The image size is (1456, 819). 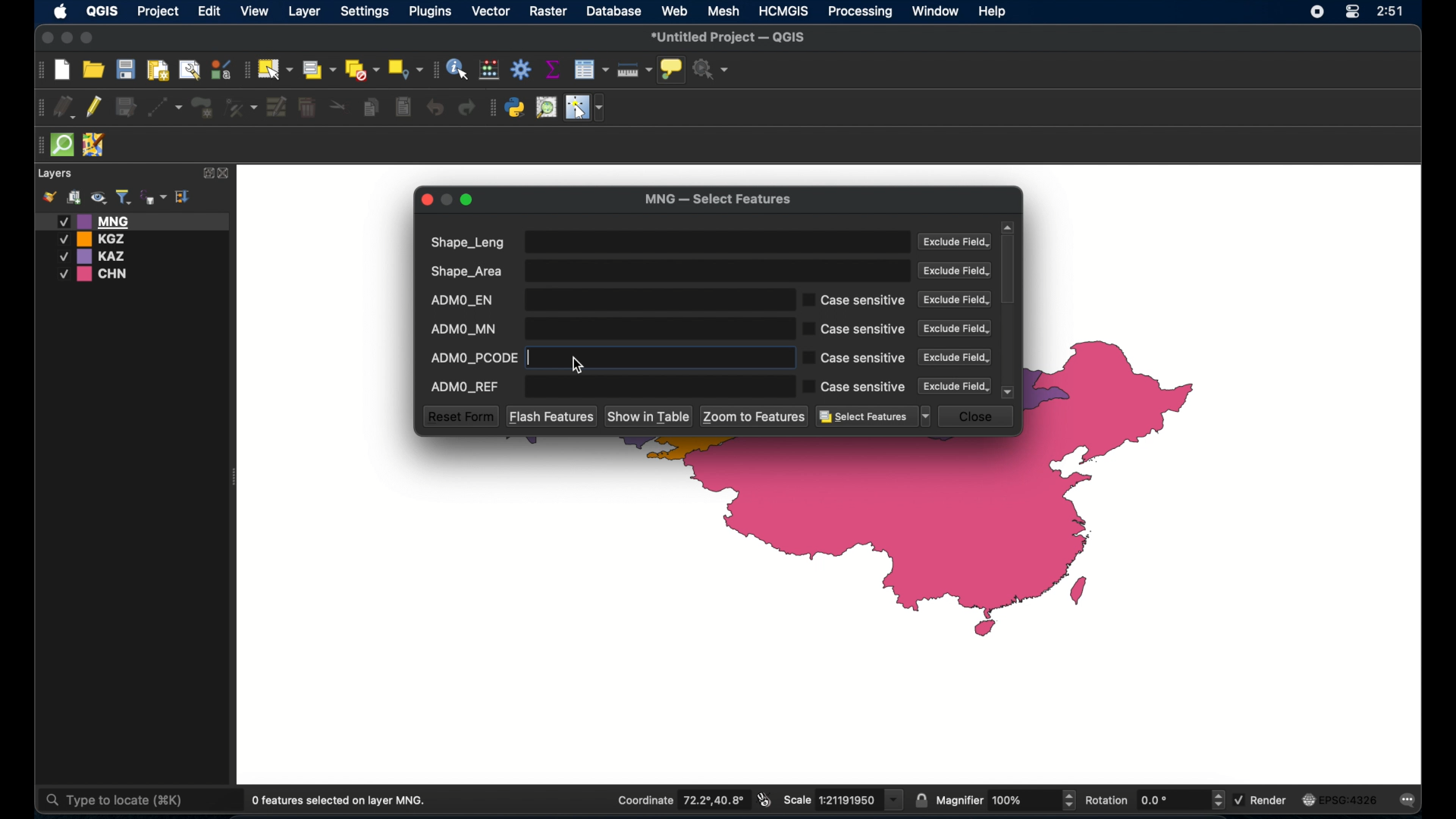 What do you see at coordinates (844, 800) in the screenshot?
I see `scale 1:21191950` at bounding box center [844, 800].